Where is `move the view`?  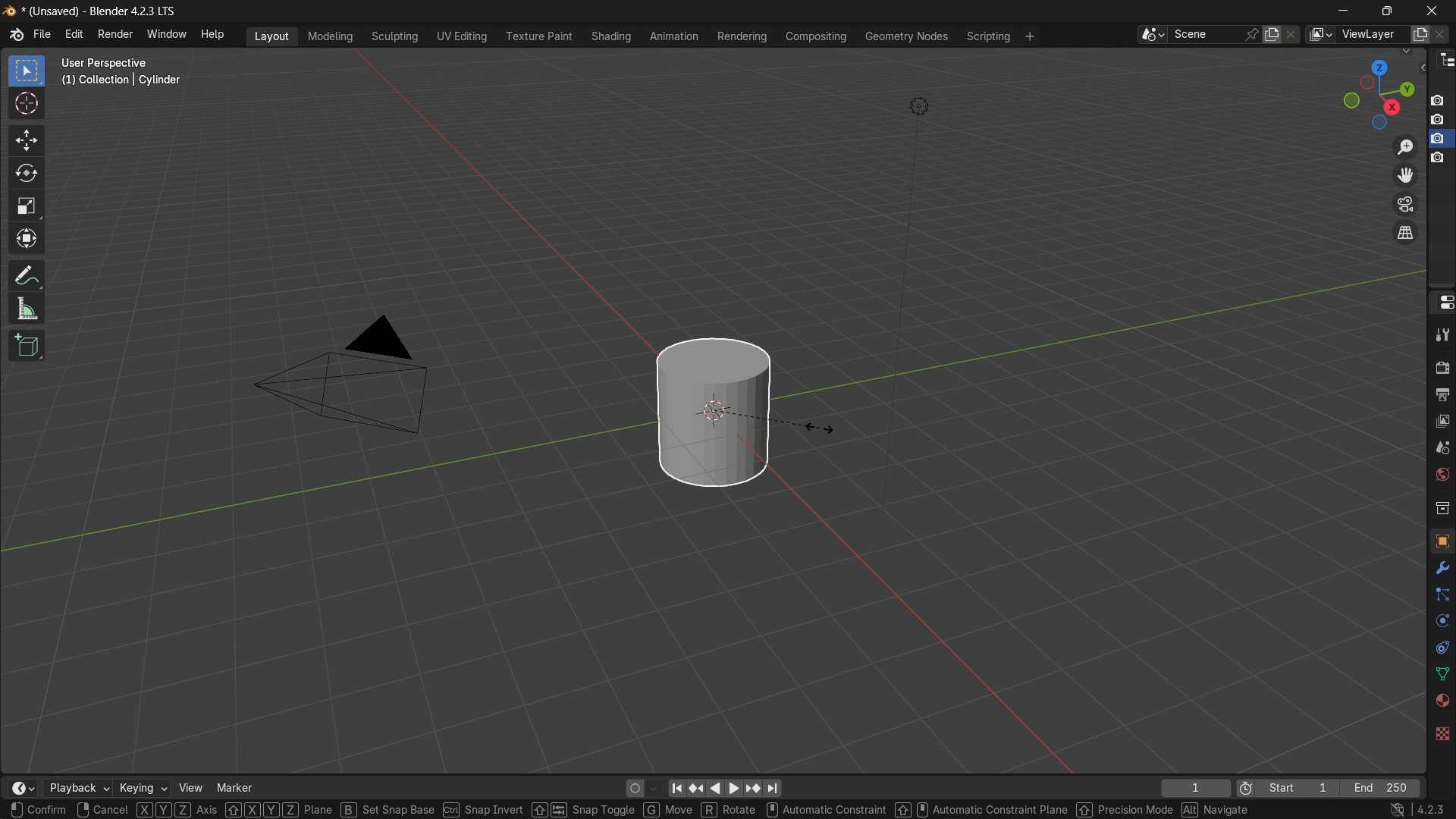 move the view is located at coordinates (1402, 175).